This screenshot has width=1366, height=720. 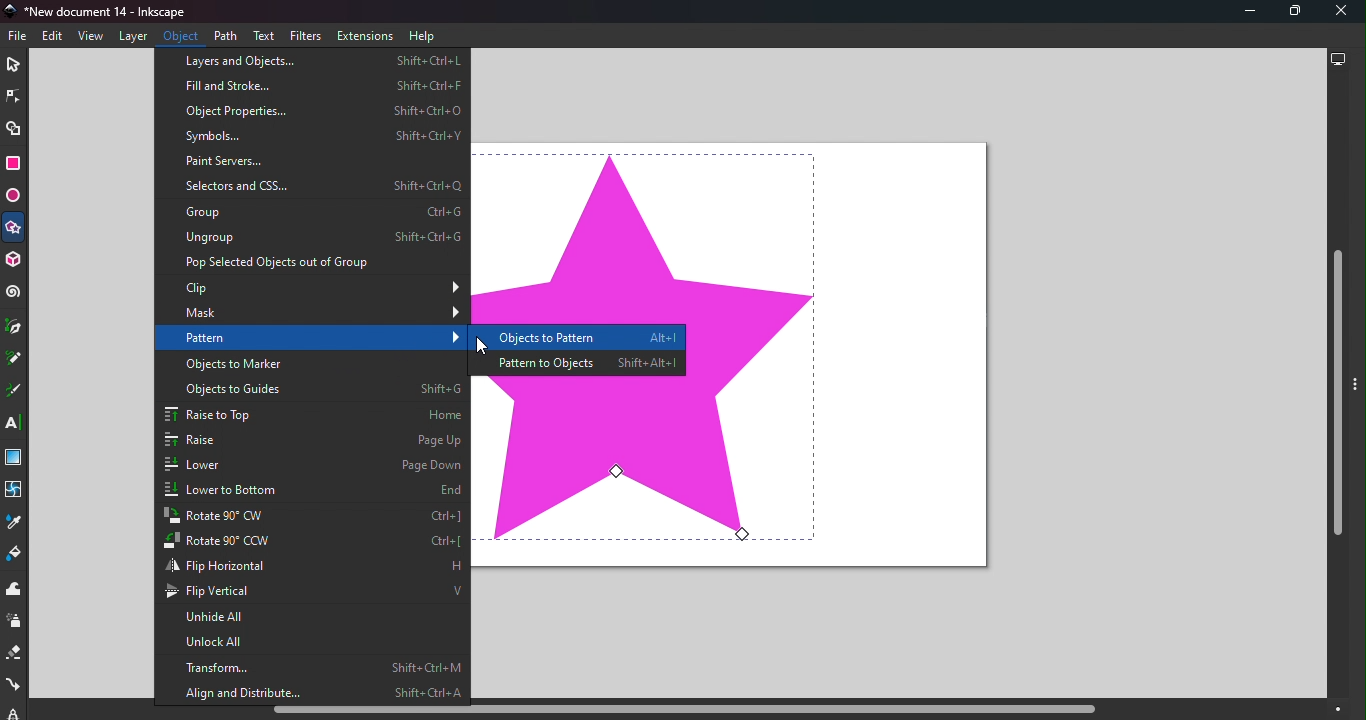 I want to click on Flip vertical, so click(x=315, y=593).